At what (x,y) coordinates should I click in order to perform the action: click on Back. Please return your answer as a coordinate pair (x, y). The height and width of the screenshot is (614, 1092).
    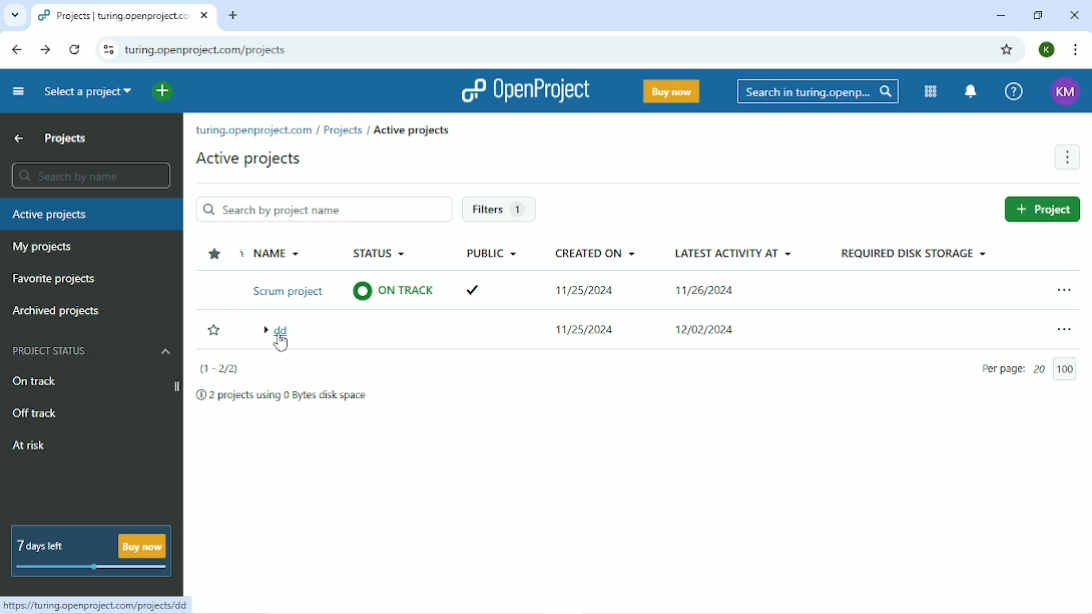
    Looking at the image, I should click on (15, 48).